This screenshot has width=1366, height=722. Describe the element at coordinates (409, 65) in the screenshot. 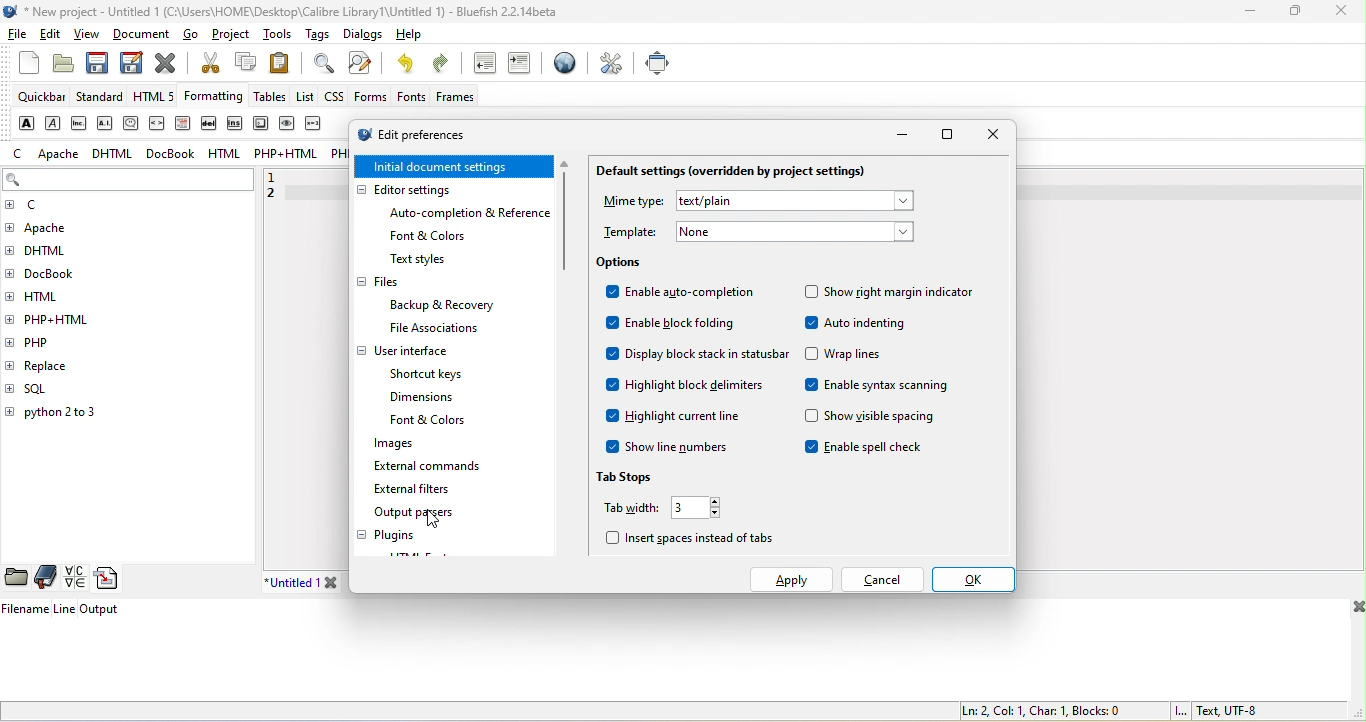

I see `undo` at that location.